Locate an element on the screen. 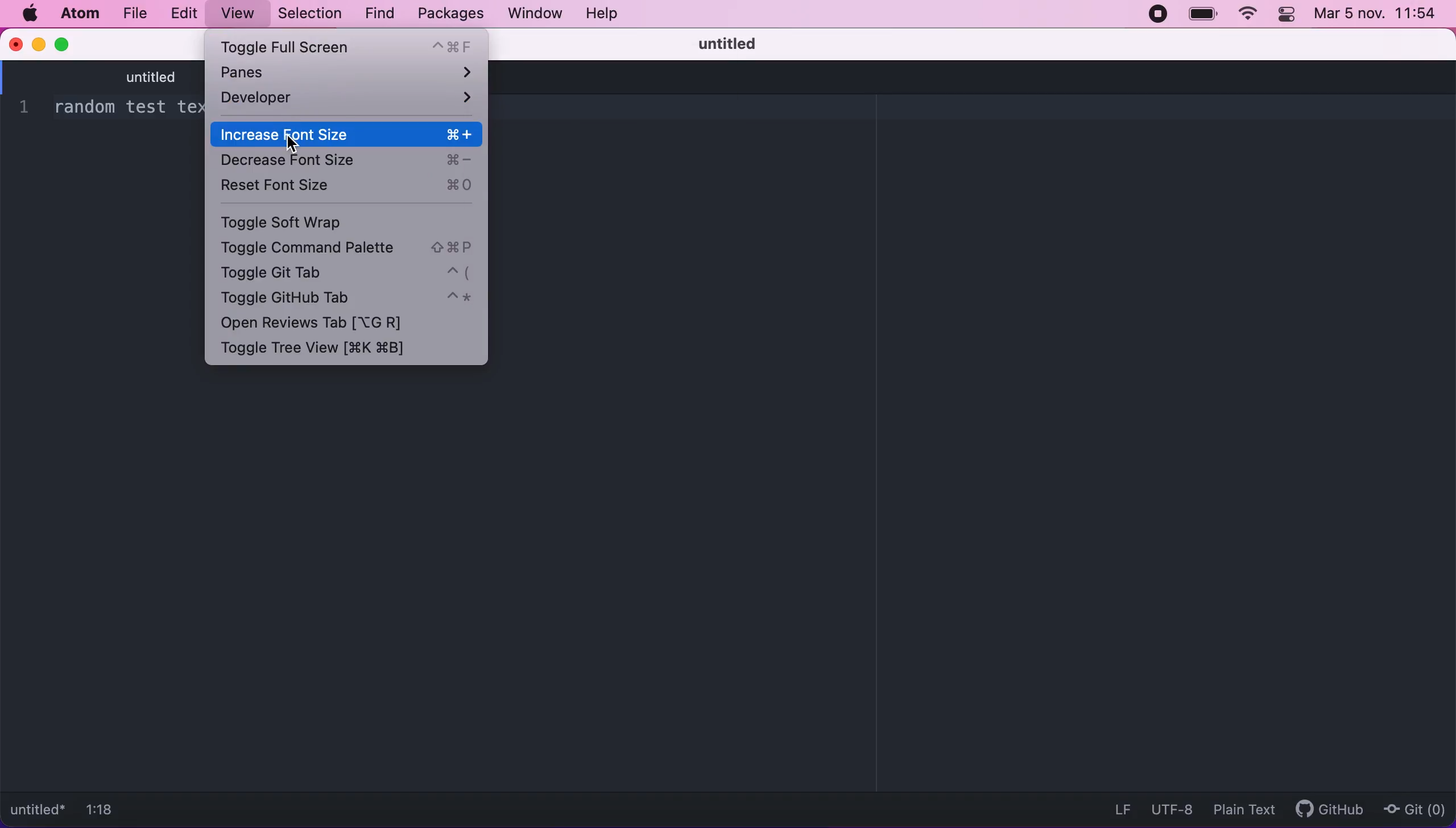  1 random test text is located at coordinates (116, 109).